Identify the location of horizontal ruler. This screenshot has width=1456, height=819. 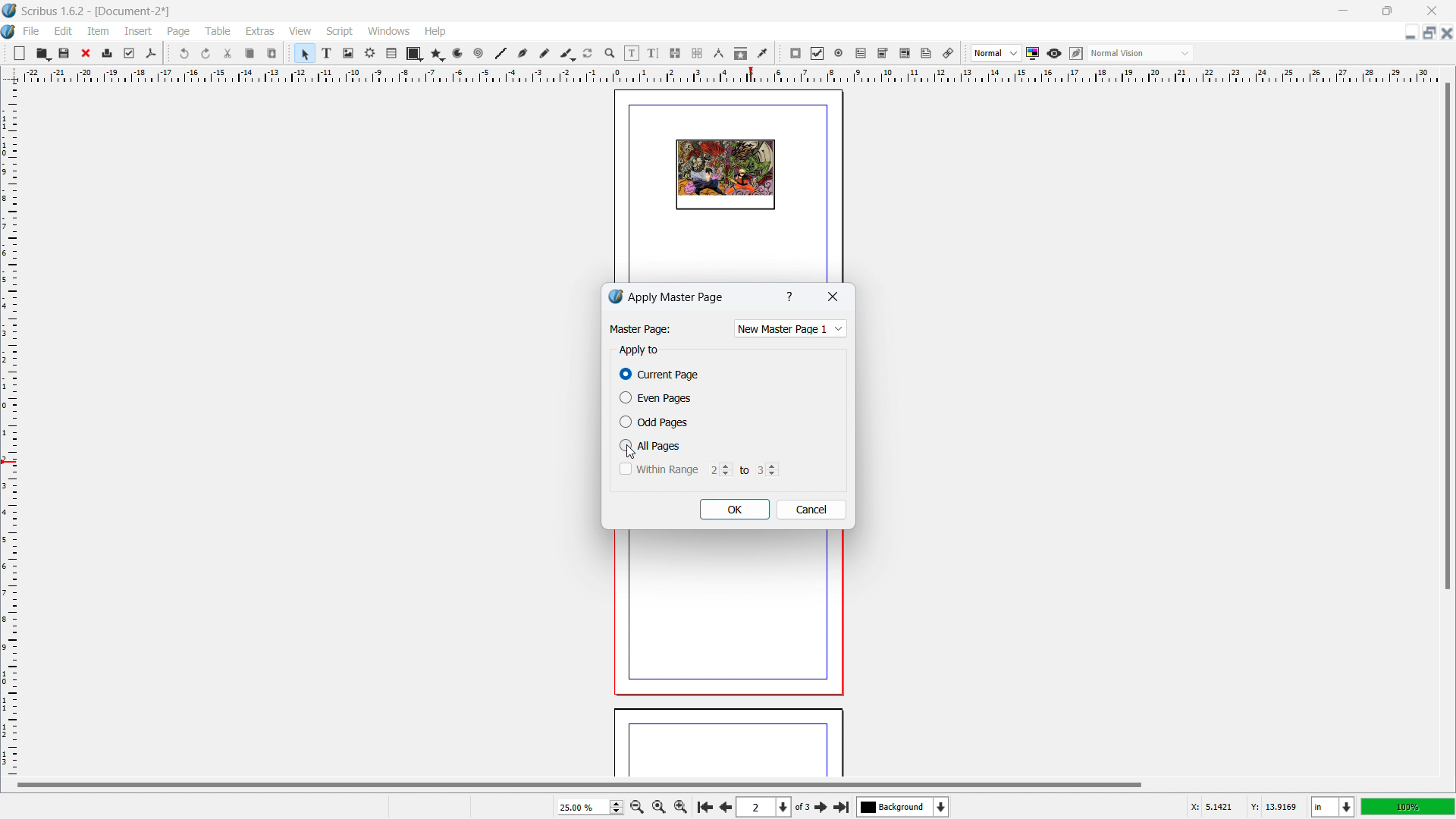
(730, 74).